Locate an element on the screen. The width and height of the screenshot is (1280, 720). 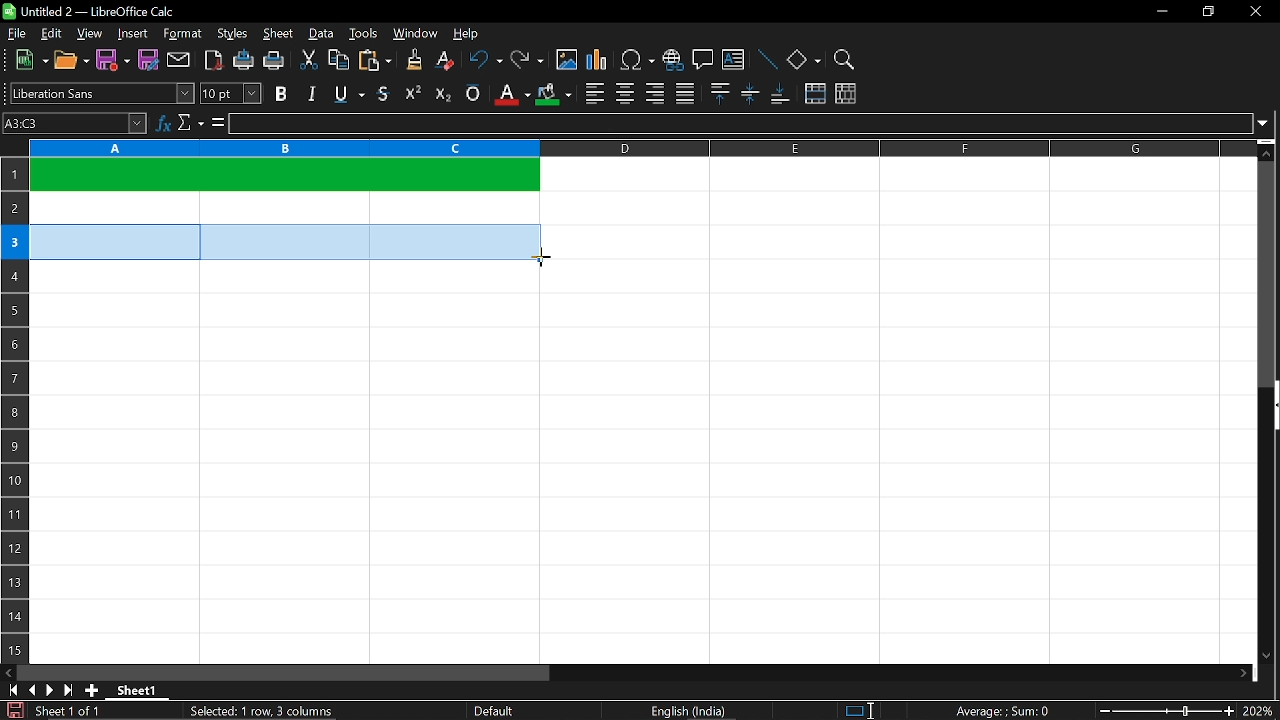
function wizard is located at coordinates (163, 124).